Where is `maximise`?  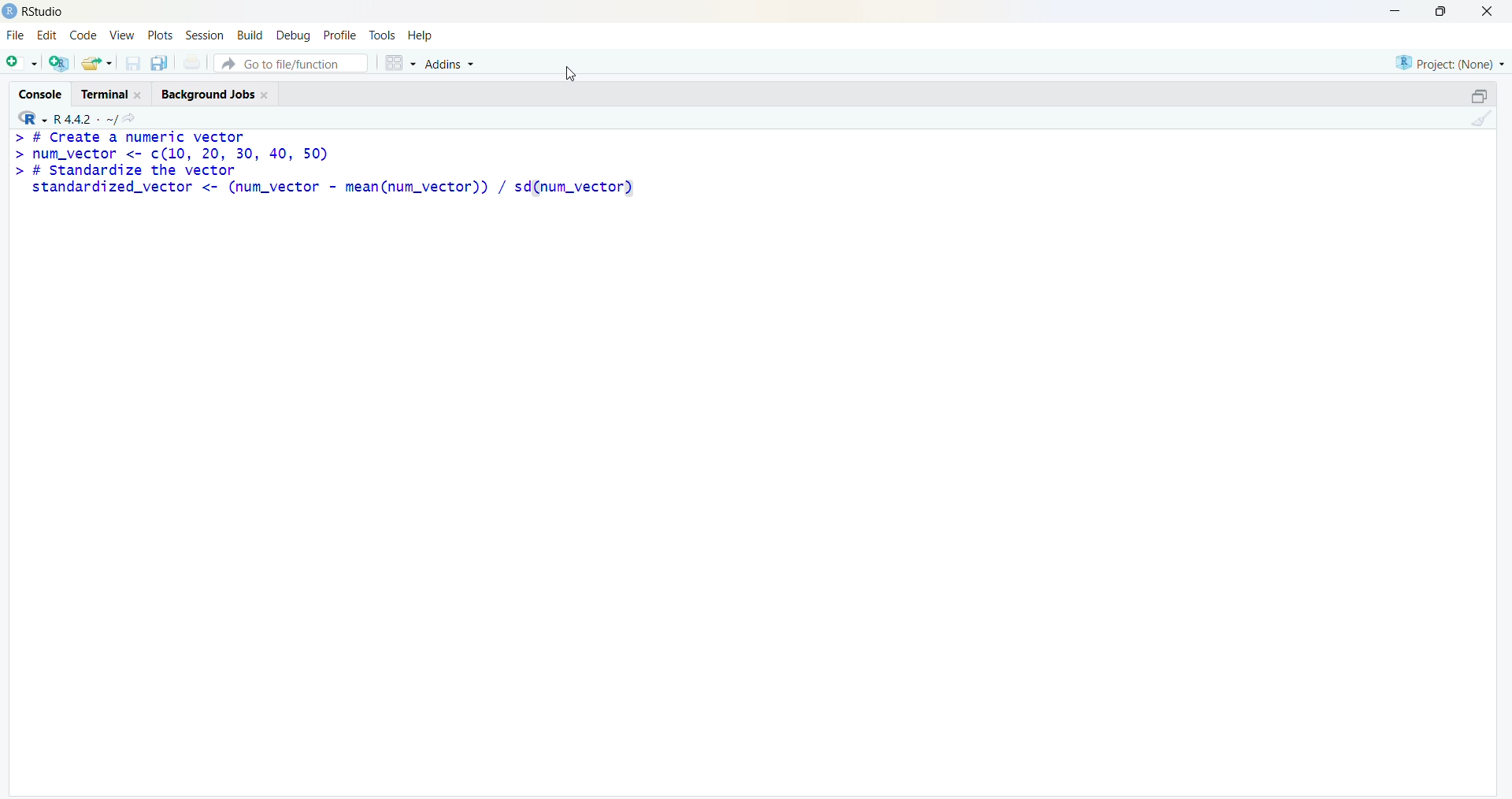
maximise is located at coordinates (1441, 10).